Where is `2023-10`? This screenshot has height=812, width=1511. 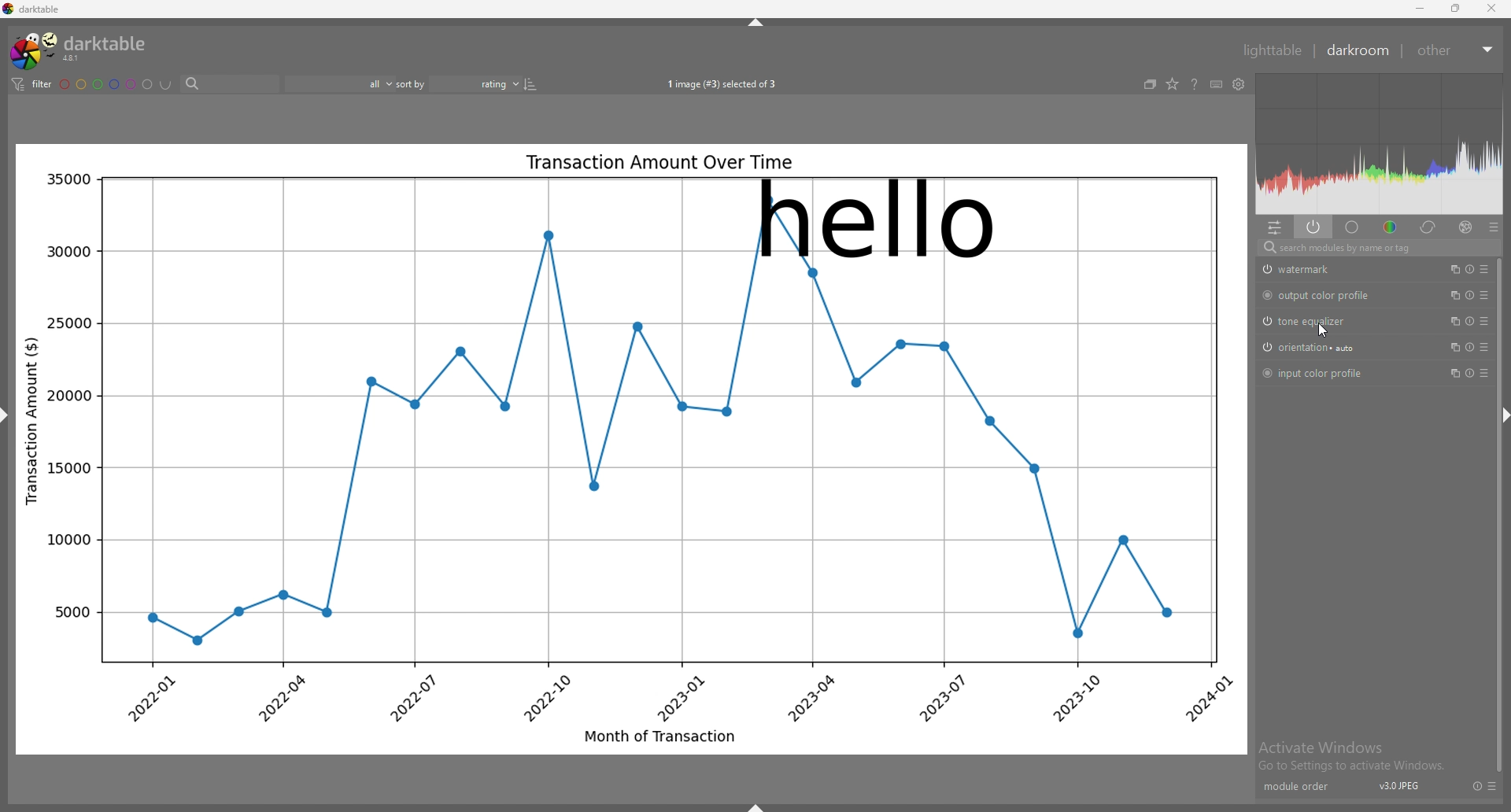
2023-10 is located at coordinates (1084, 699).